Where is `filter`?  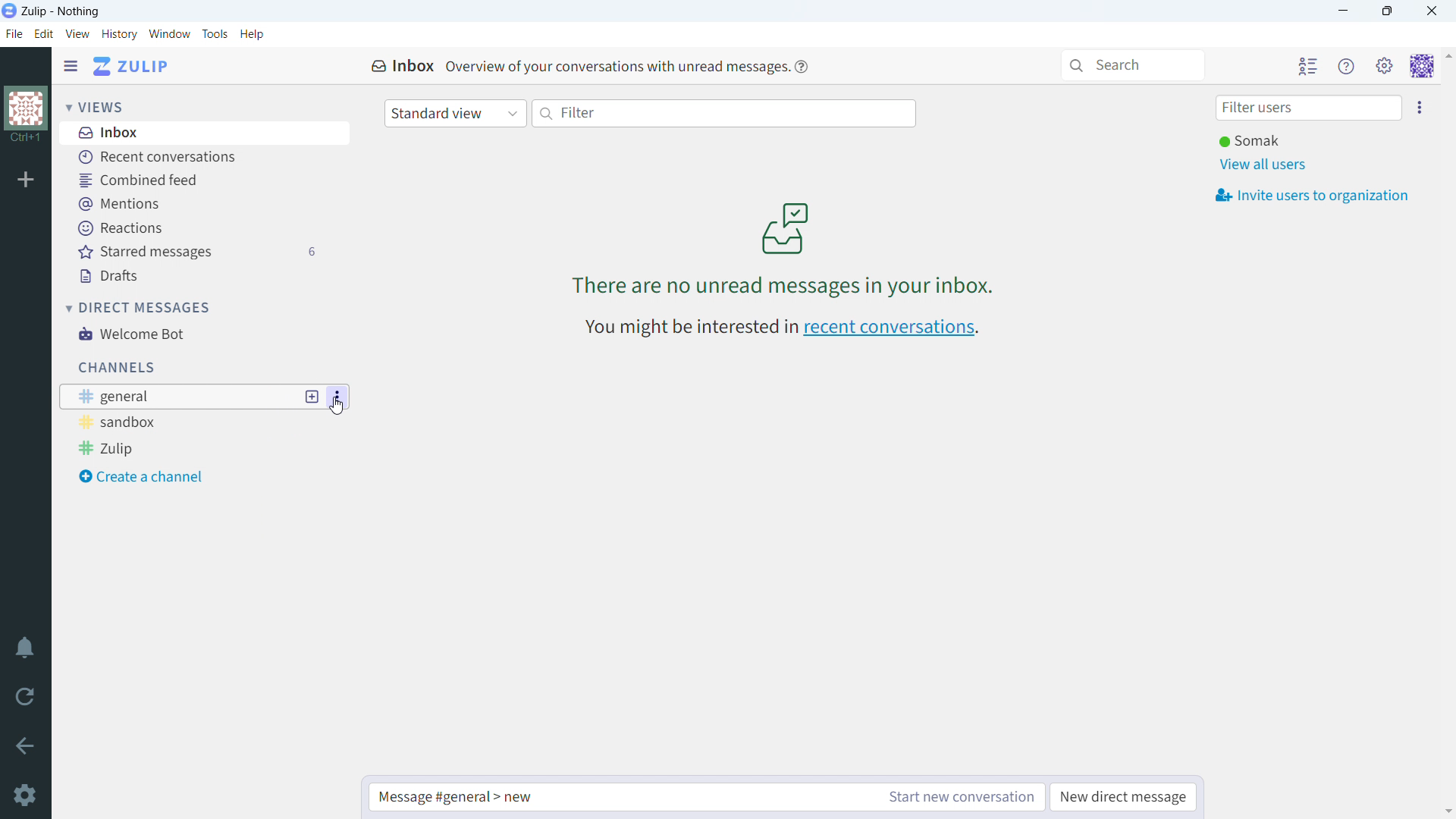
filter is located at coordinates (726, 114).